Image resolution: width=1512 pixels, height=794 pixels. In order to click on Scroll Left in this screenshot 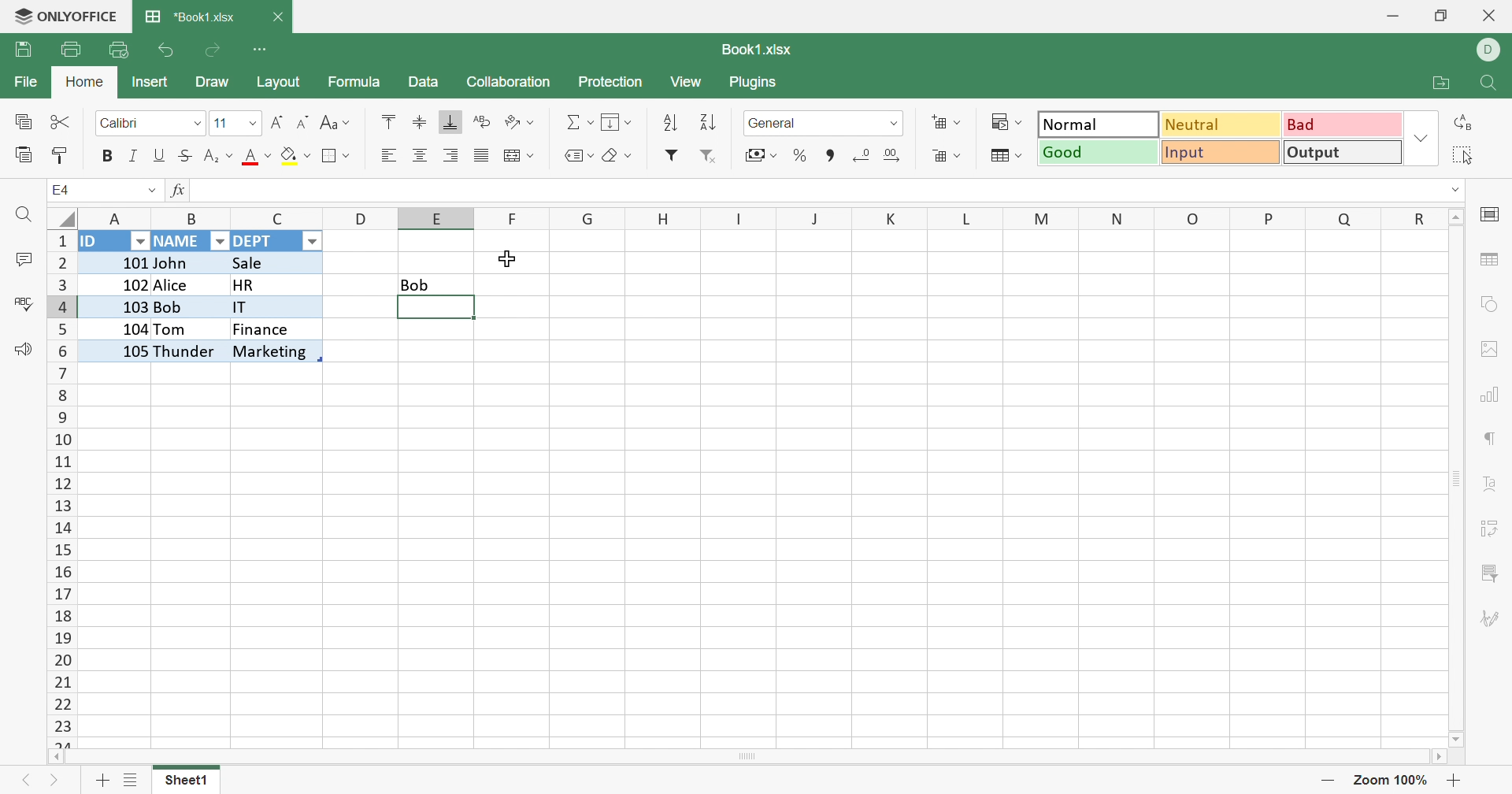, I will do `click(54, 757)`.